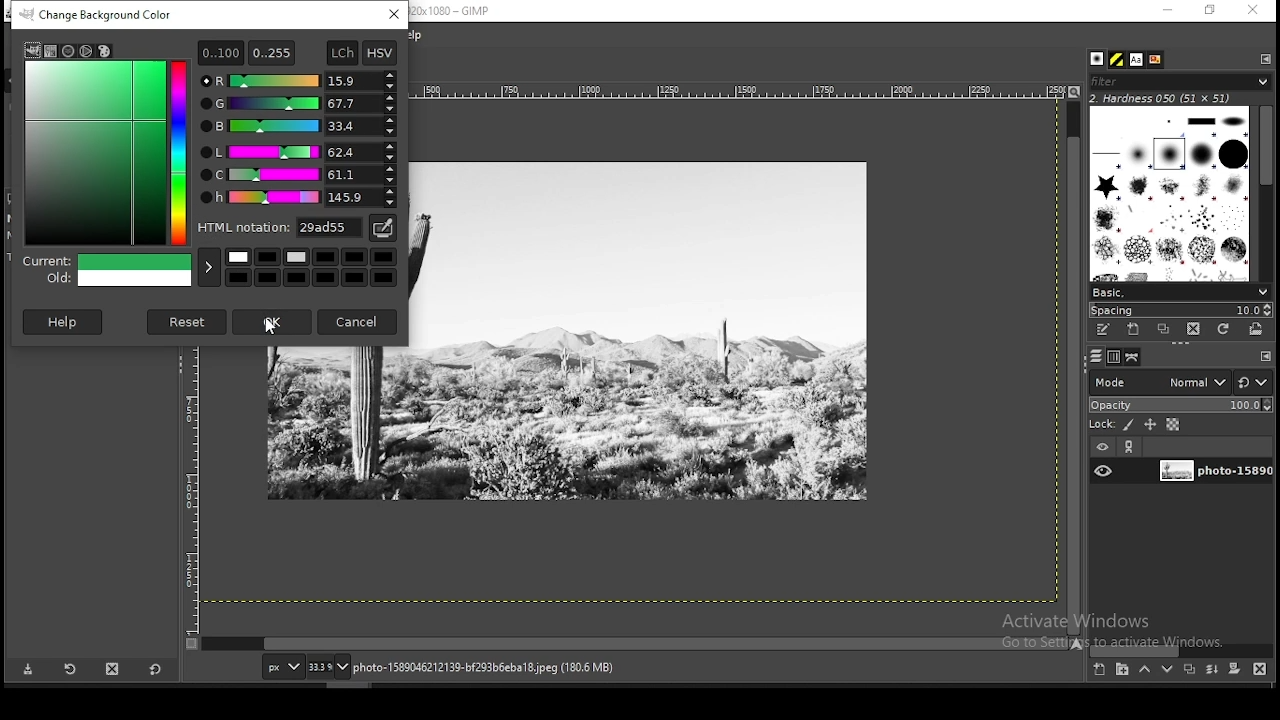 This screenshot has height=720, width=1280. What do you see at coordinates (1252, 383) in the screenshot?
I see `switch to other modes` at bounding box center [1252, 383].